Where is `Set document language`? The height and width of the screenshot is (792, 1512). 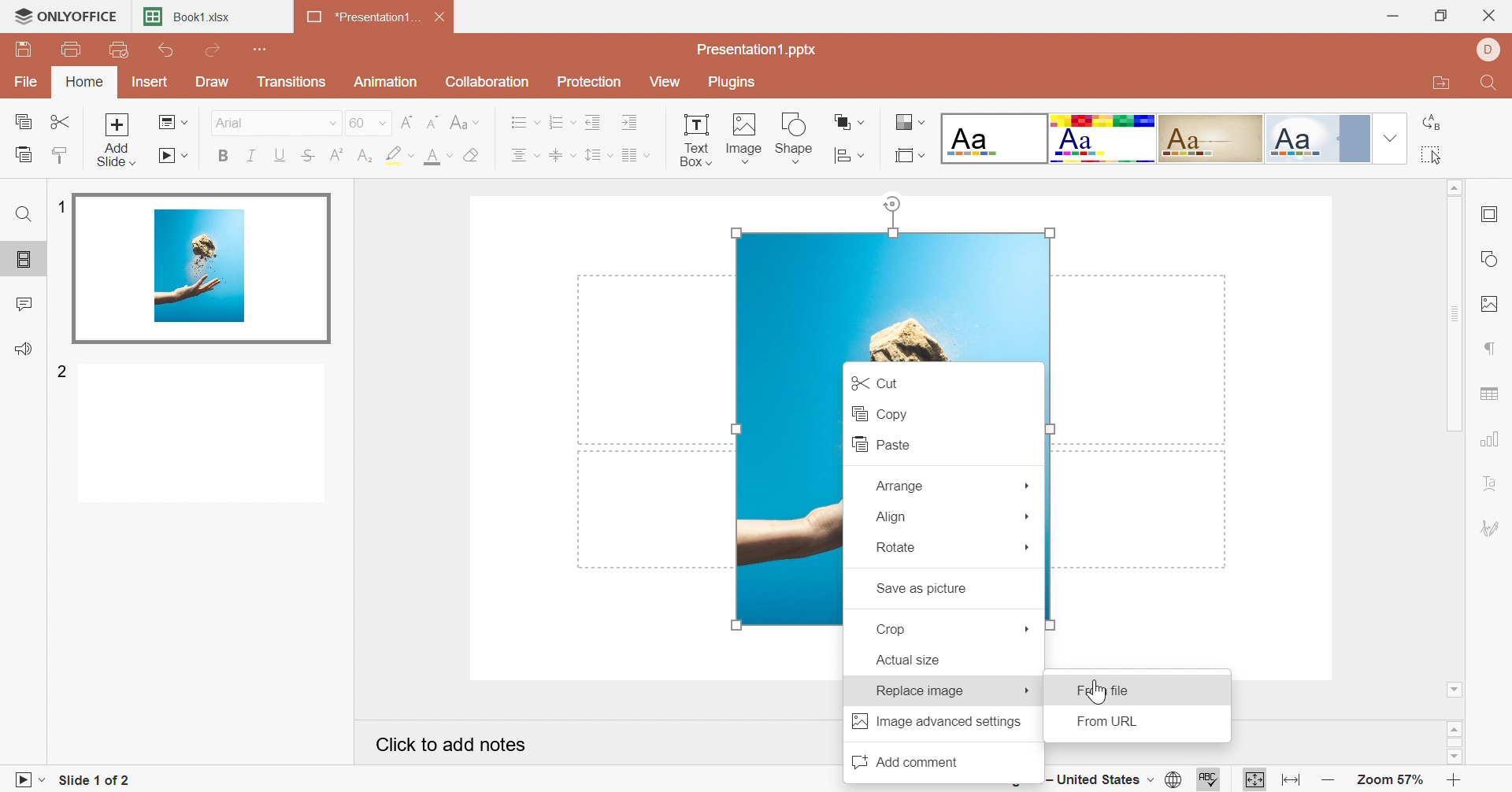 Set document language is located at coordinates (1177, 779).